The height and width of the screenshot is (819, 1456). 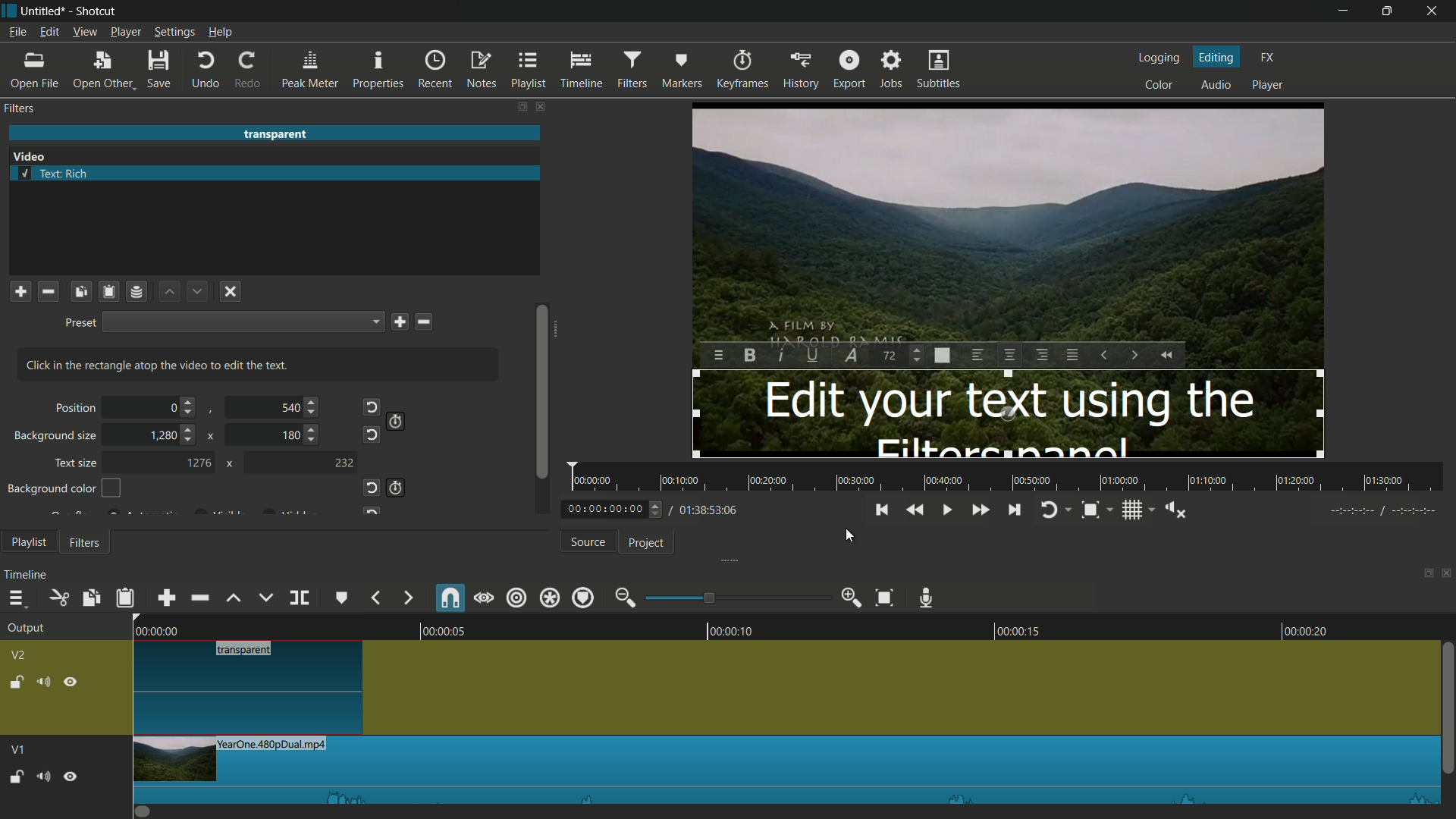 I want to click on timeline, so click(x=581, y=71).